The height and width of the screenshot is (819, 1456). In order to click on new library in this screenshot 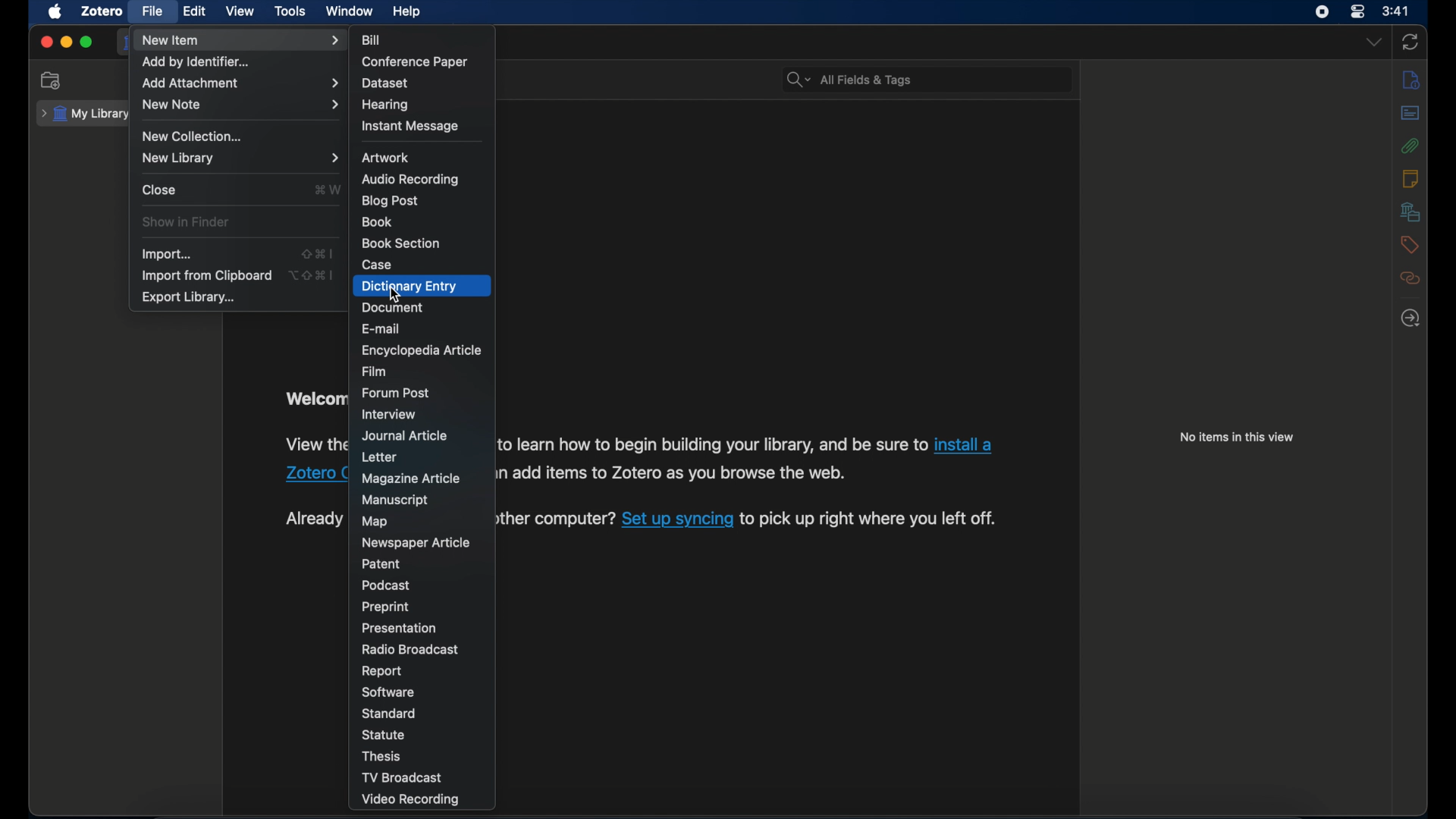, I will do `click(242, 158)`.